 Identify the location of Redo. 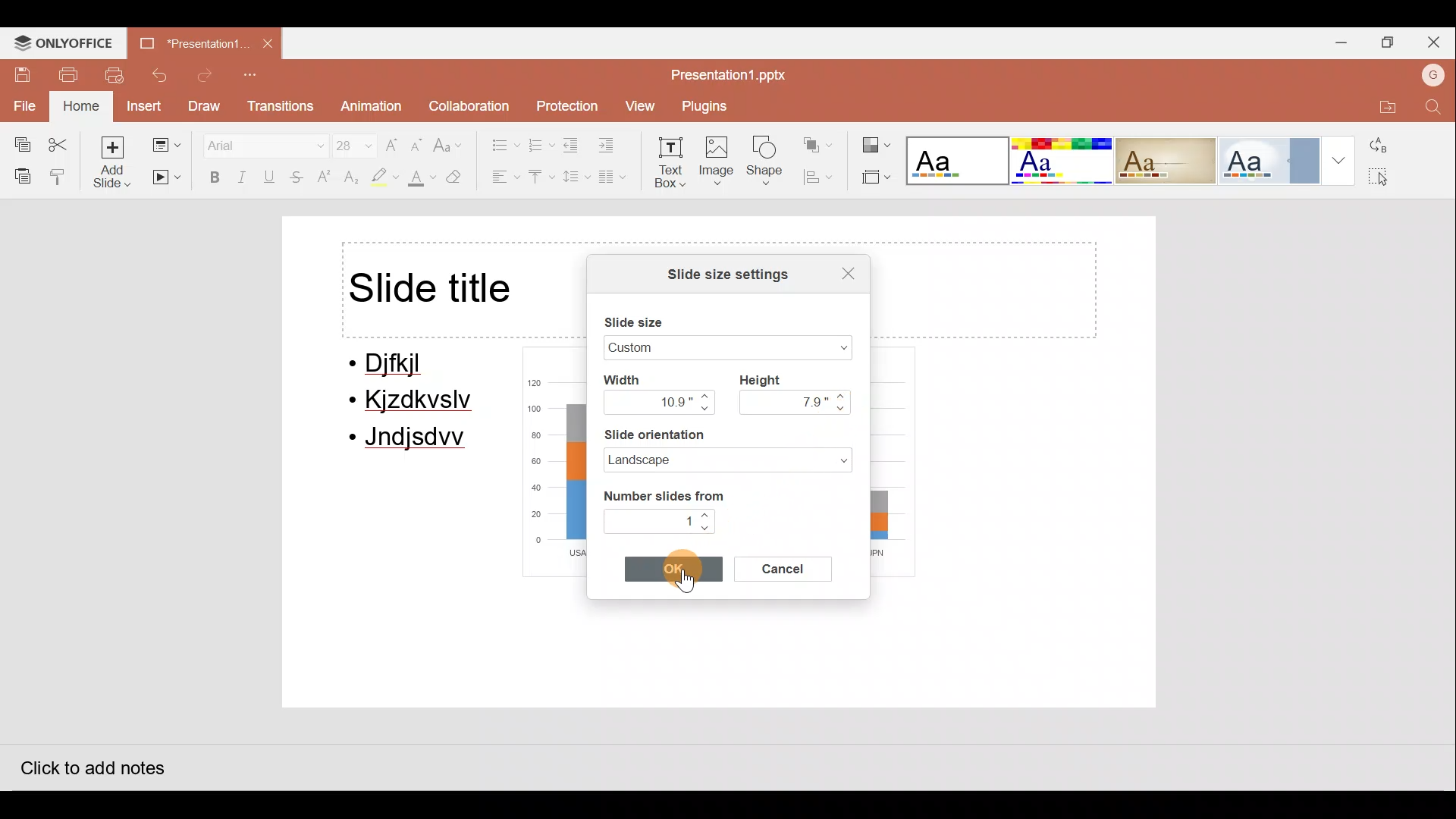
(206, 76).